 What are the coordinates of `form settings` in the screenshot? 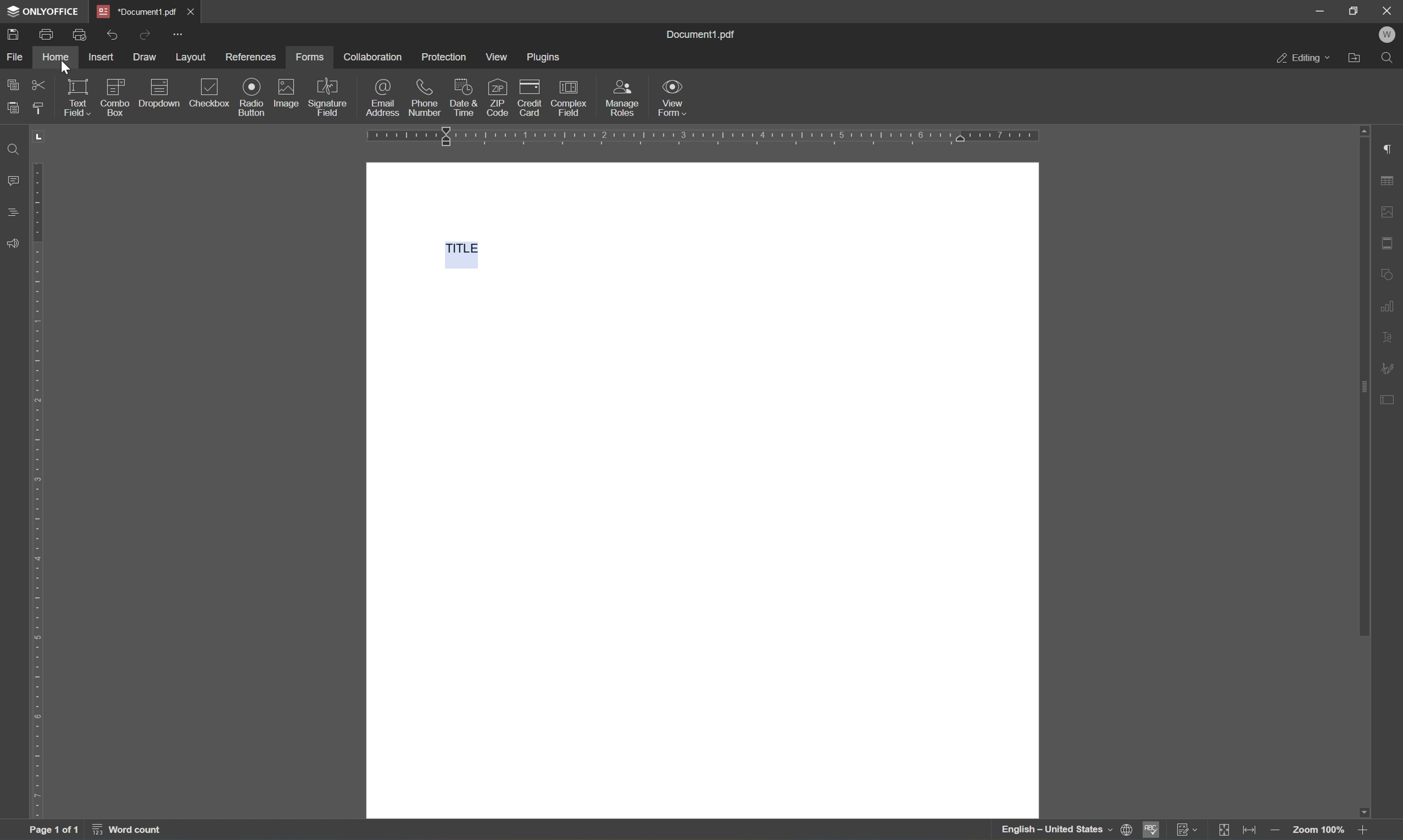 It's located at (1390, 405).